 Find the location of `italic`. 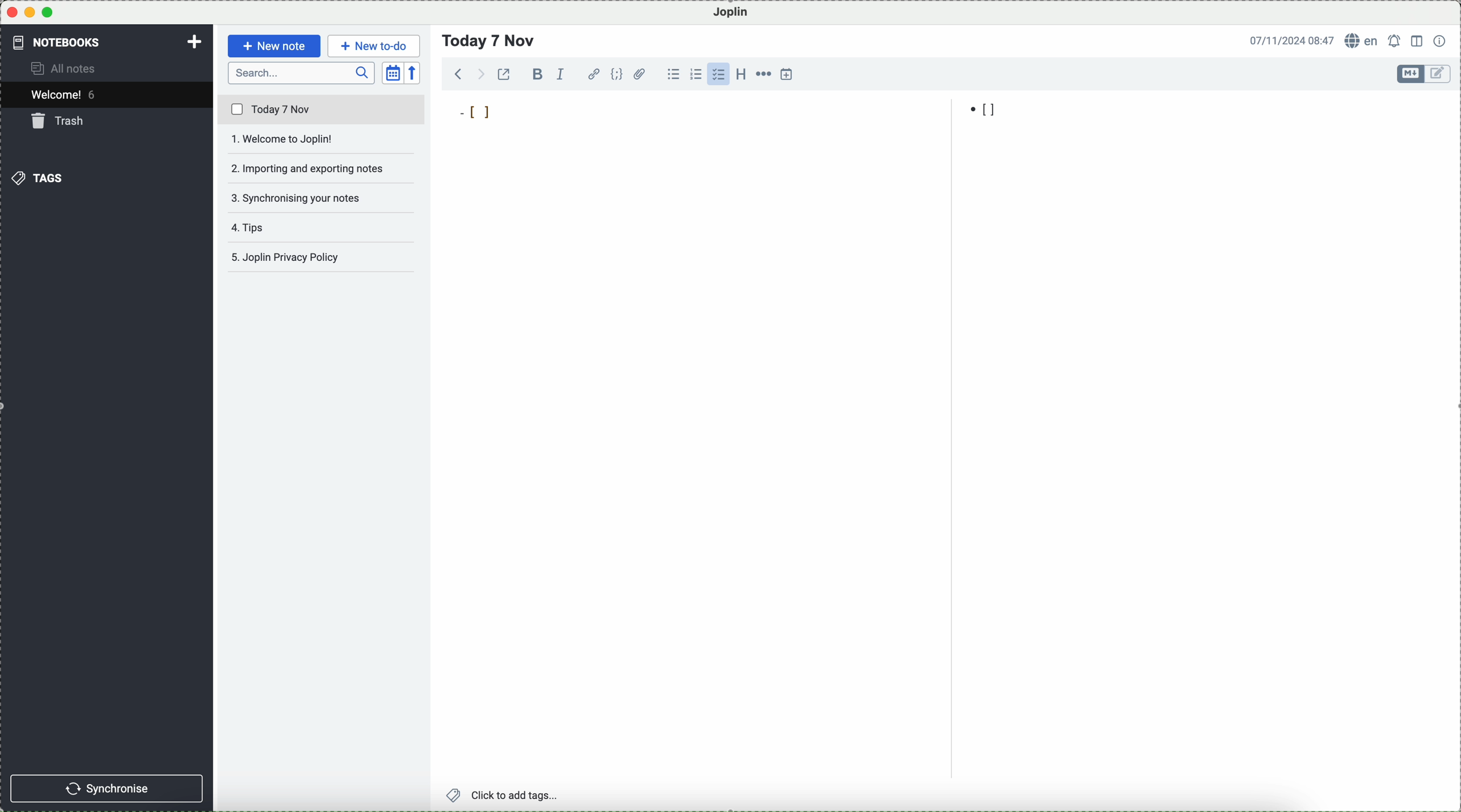

italic is located at coordinates (561, 74).